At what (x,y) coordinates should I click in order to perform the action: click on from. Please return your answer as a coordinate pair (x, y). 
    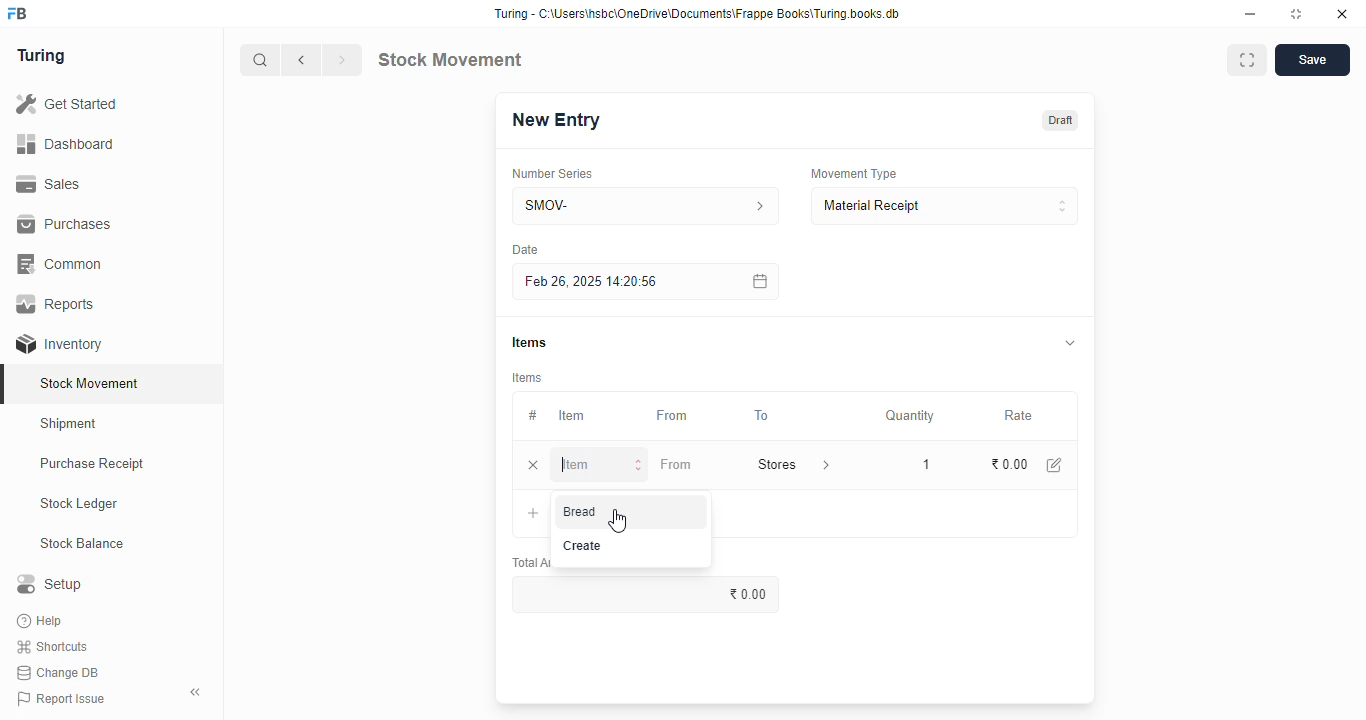
    Looking at the image, I should click on (676, 464).